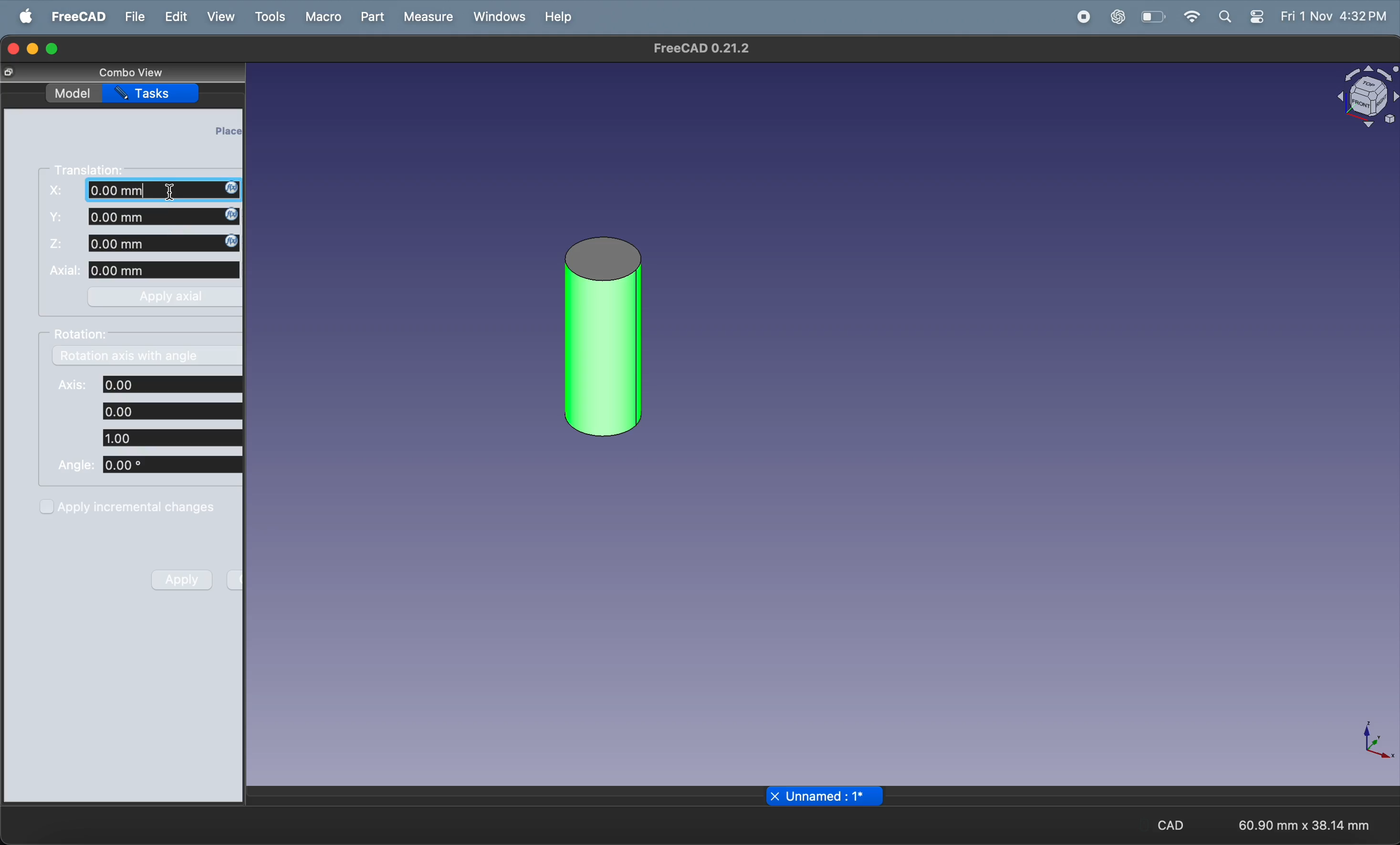 Image resolution: width=1400 pixels, height=845 pixels. What do you see at coordinates (64, 270) in the screenshot?
I see `Axial:` at bounding box center [64, 270].